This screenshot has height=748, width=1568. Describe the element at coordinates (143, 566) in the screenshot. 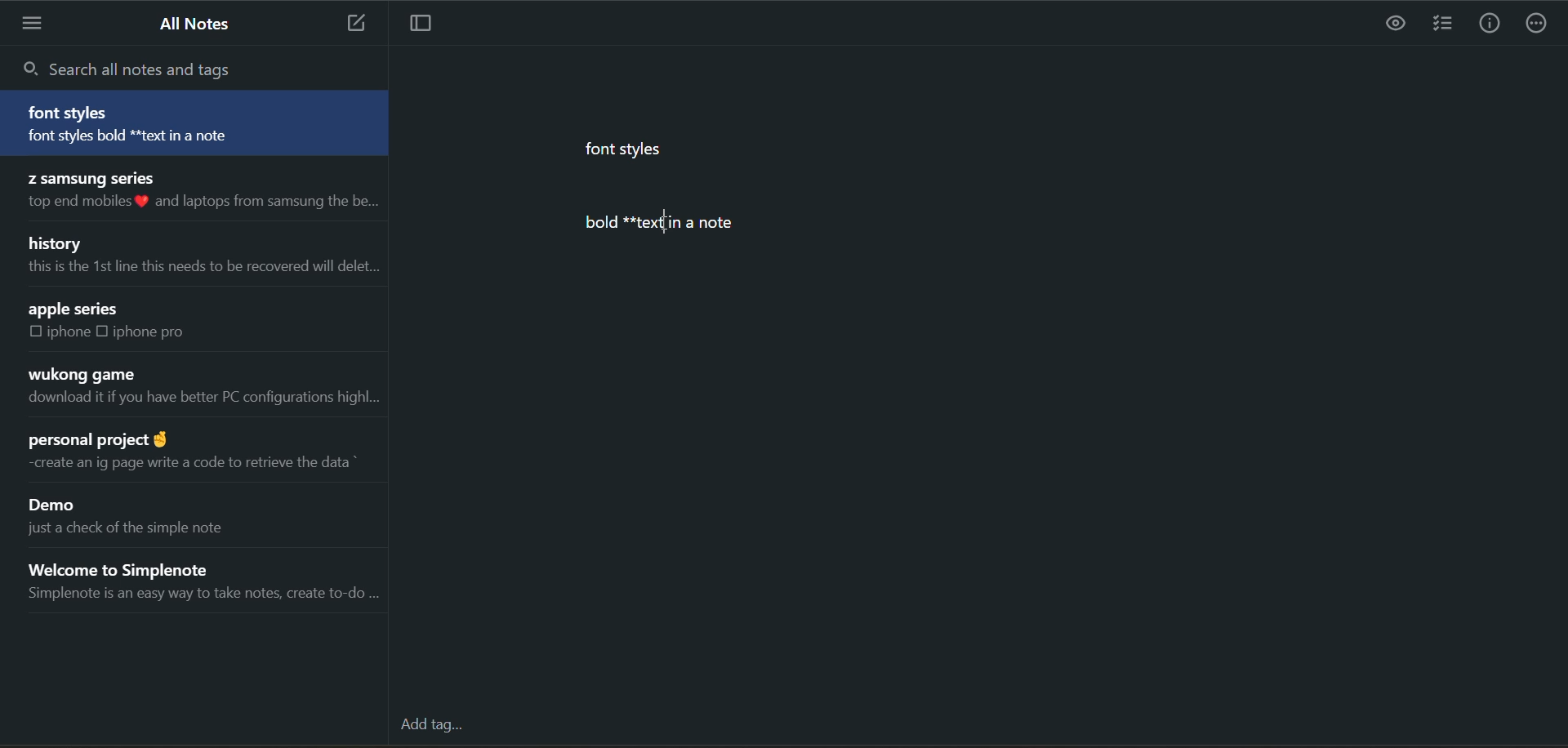

I see `Welcome to Simplenote` at that location.